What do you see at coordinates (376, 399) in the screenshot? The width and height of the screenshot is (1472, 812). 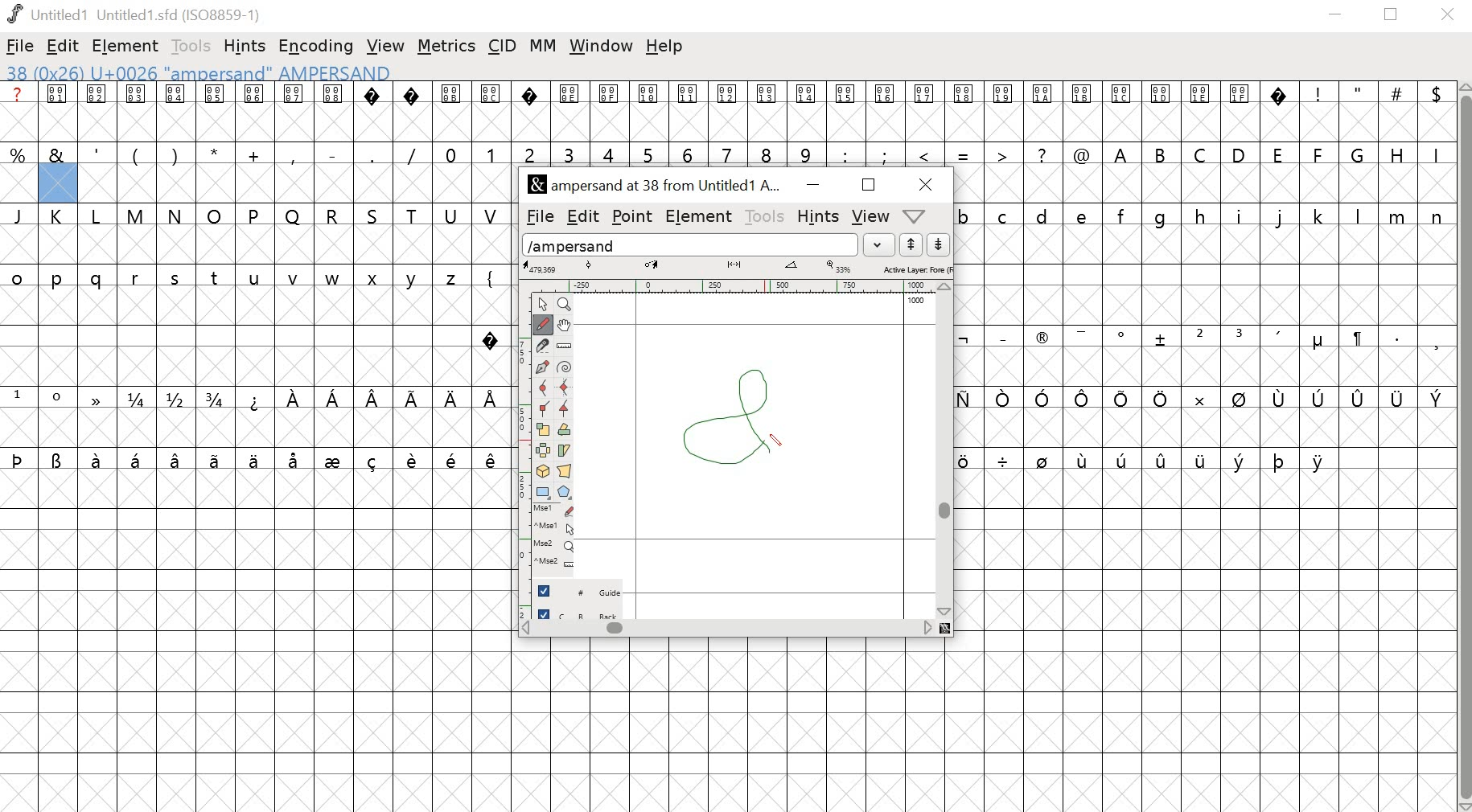 I see `symbol` at bounding box center [376, 399].